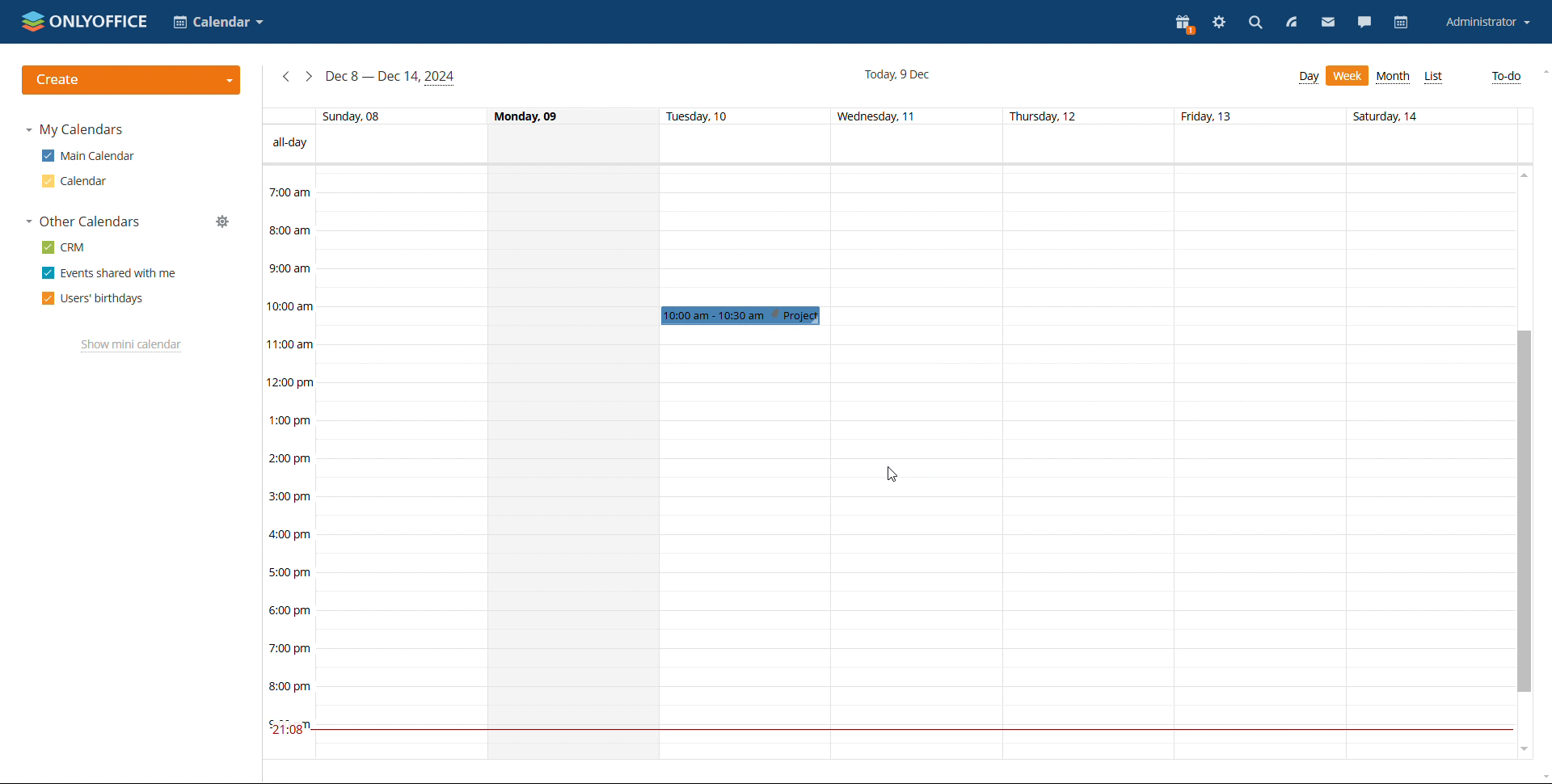 This screenshot has width=1552, height=784. I want to click on crm, so click(65, 247).